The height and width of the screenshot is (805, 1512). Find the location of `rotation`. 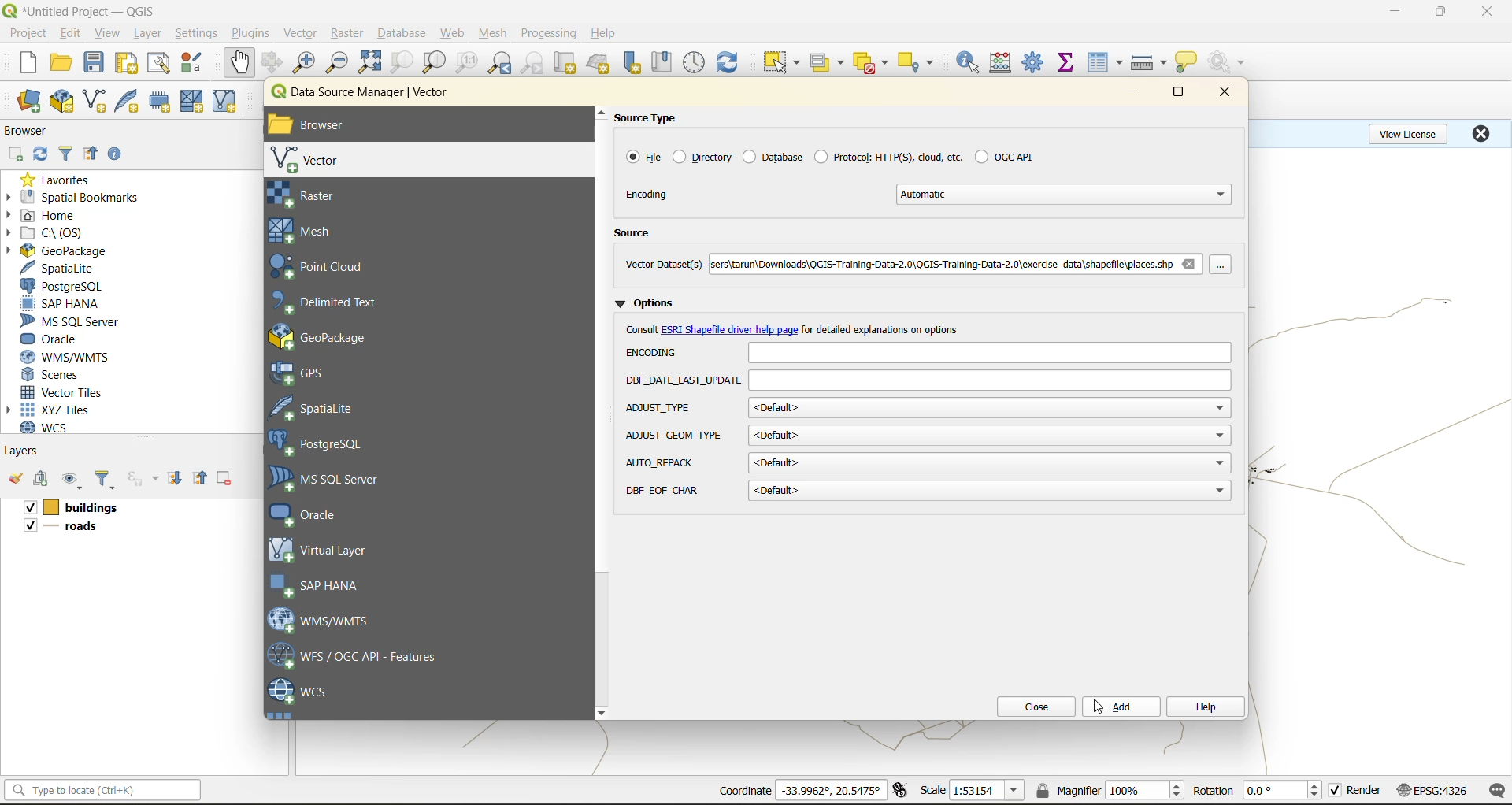

rotation is located at coordinates (1285, 791).